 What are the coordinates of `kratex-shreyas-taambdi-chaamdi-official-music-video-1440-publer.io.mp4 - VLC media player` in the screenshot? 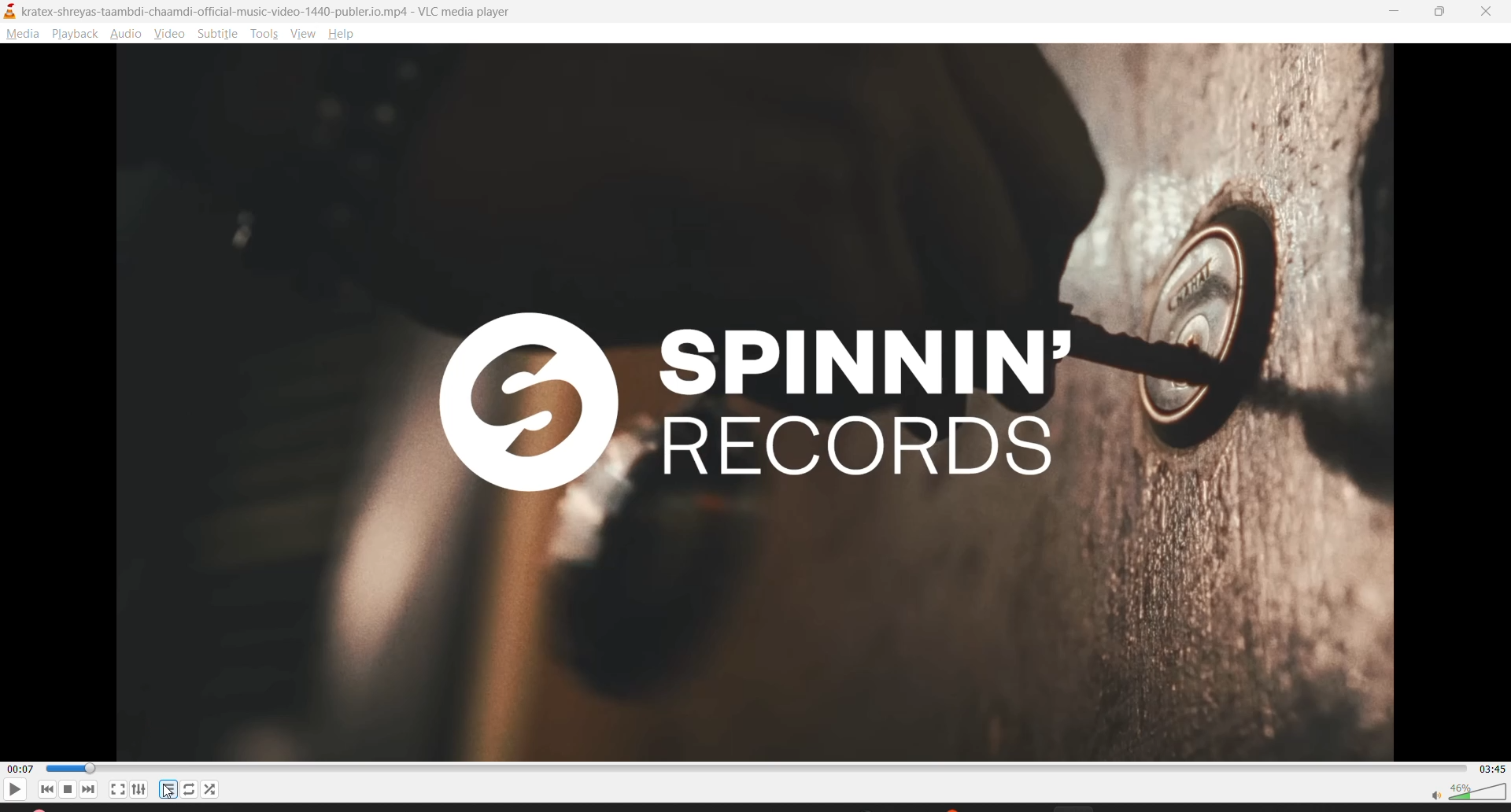 It's located at (261, 10).